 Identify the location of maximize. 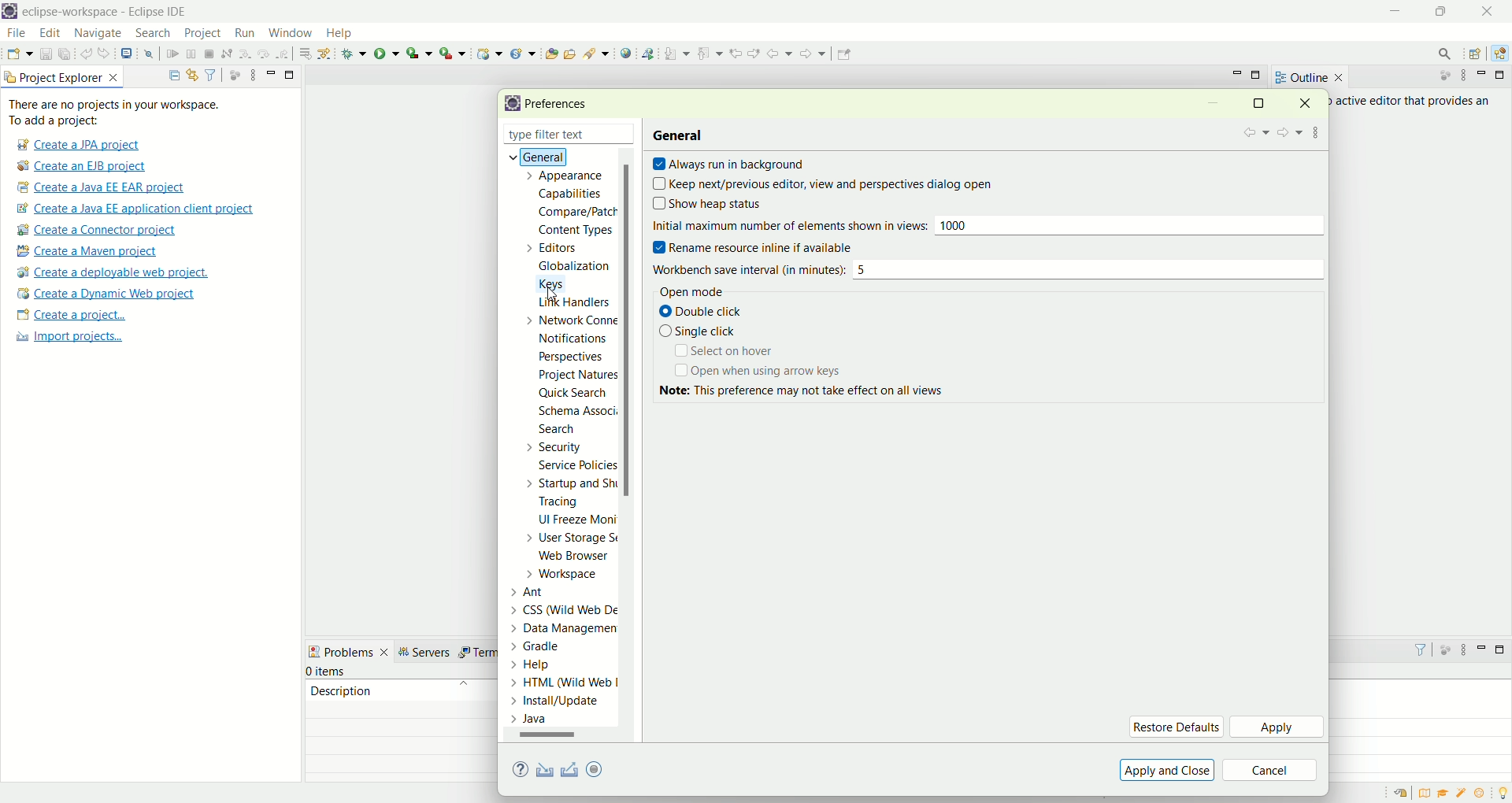
(1503, 649).